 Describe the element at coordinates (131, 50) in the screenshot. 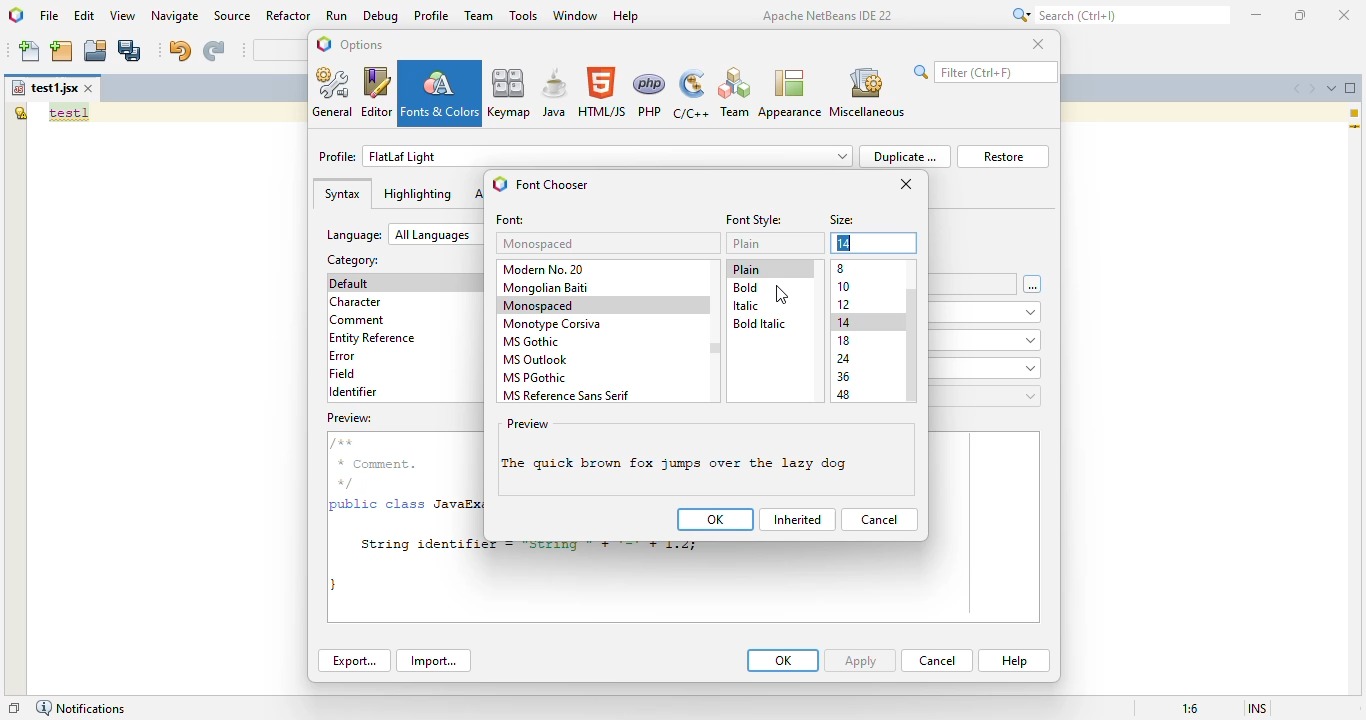

I see `save all` at that location.